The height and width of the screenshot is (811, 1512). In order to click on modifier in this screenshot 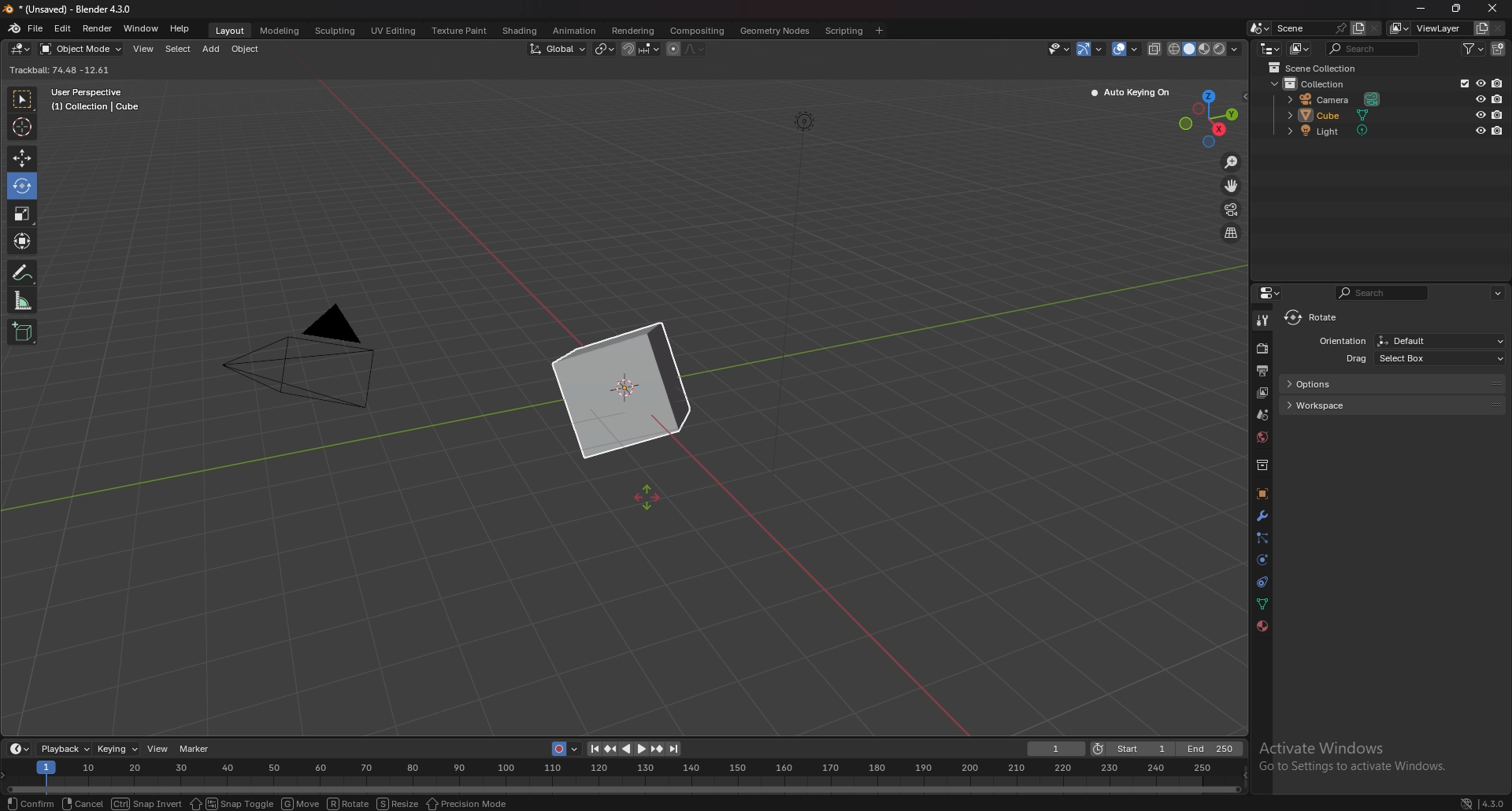, I will do `click(1262, 515)`.